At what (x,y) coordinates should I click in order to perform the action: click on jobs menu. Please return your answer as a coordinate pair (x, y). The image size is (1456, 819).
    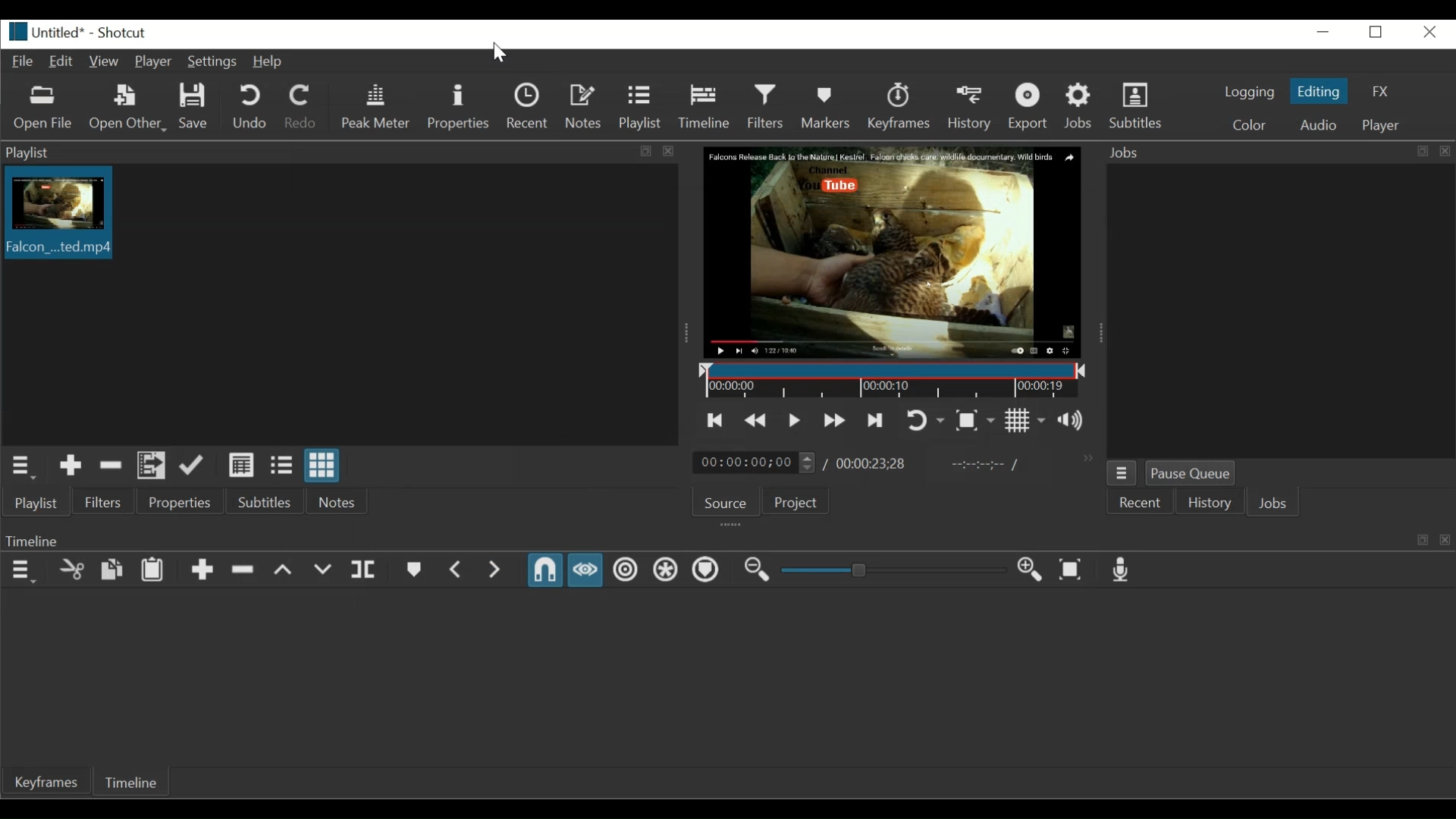
    Looking at the image, I should click on (1122, 473).